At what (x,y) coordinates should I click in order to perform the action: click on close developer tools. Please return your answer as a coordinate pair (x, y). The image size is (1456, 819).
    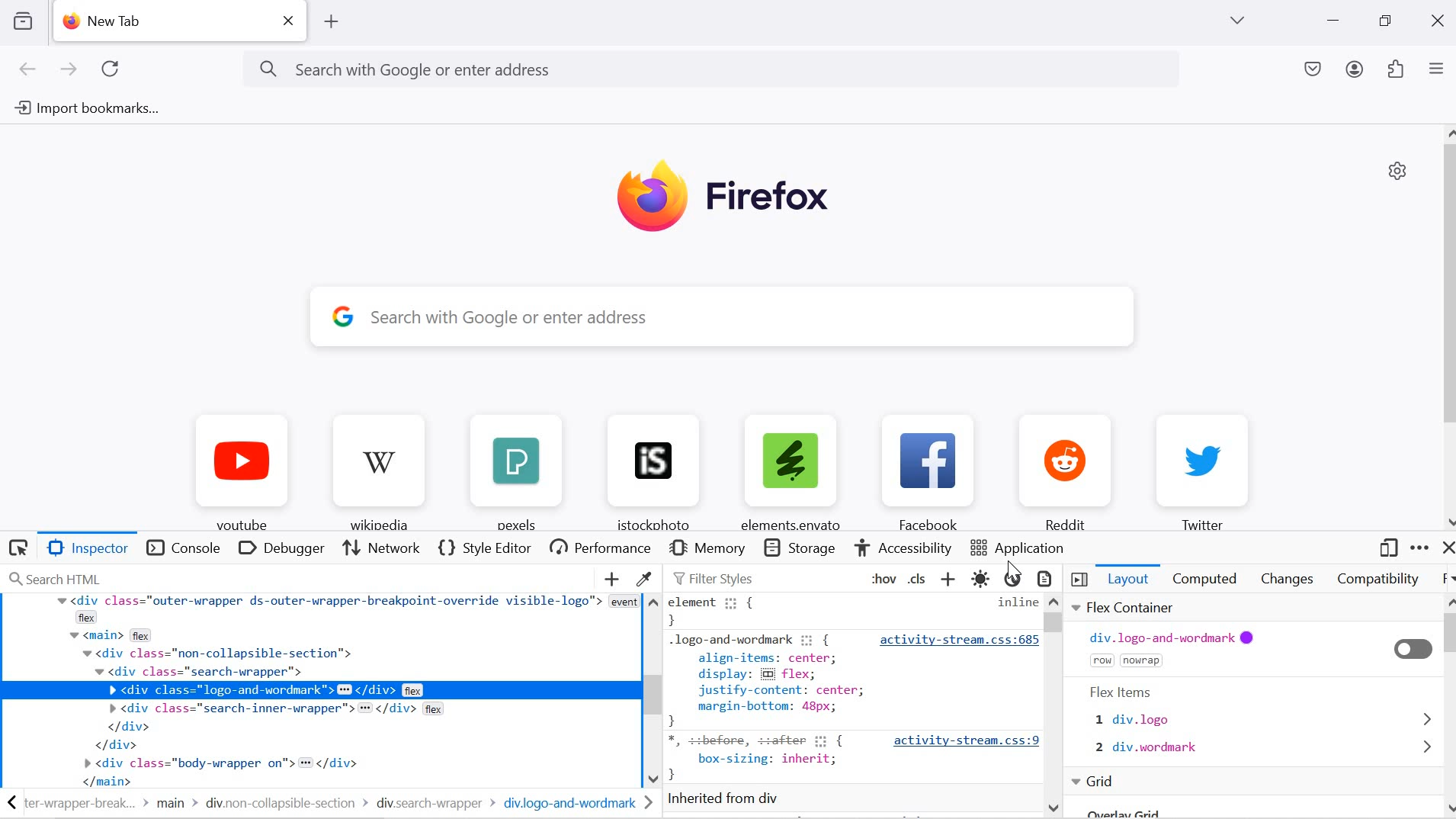
    Looking at the image, I should click on (1447, 549).